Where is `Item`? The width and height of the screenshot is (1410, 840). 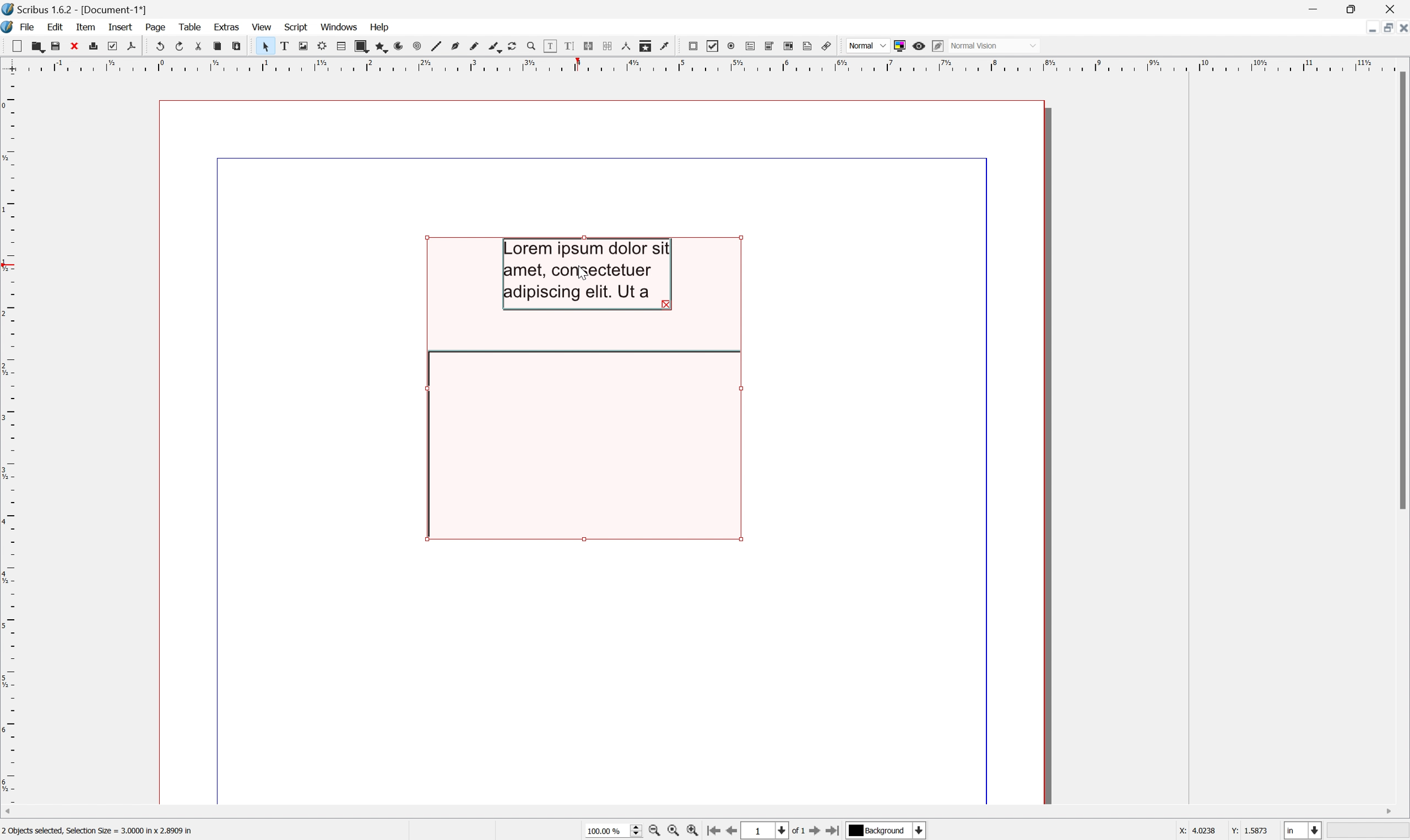
Item is located at coordinates (87, 27).